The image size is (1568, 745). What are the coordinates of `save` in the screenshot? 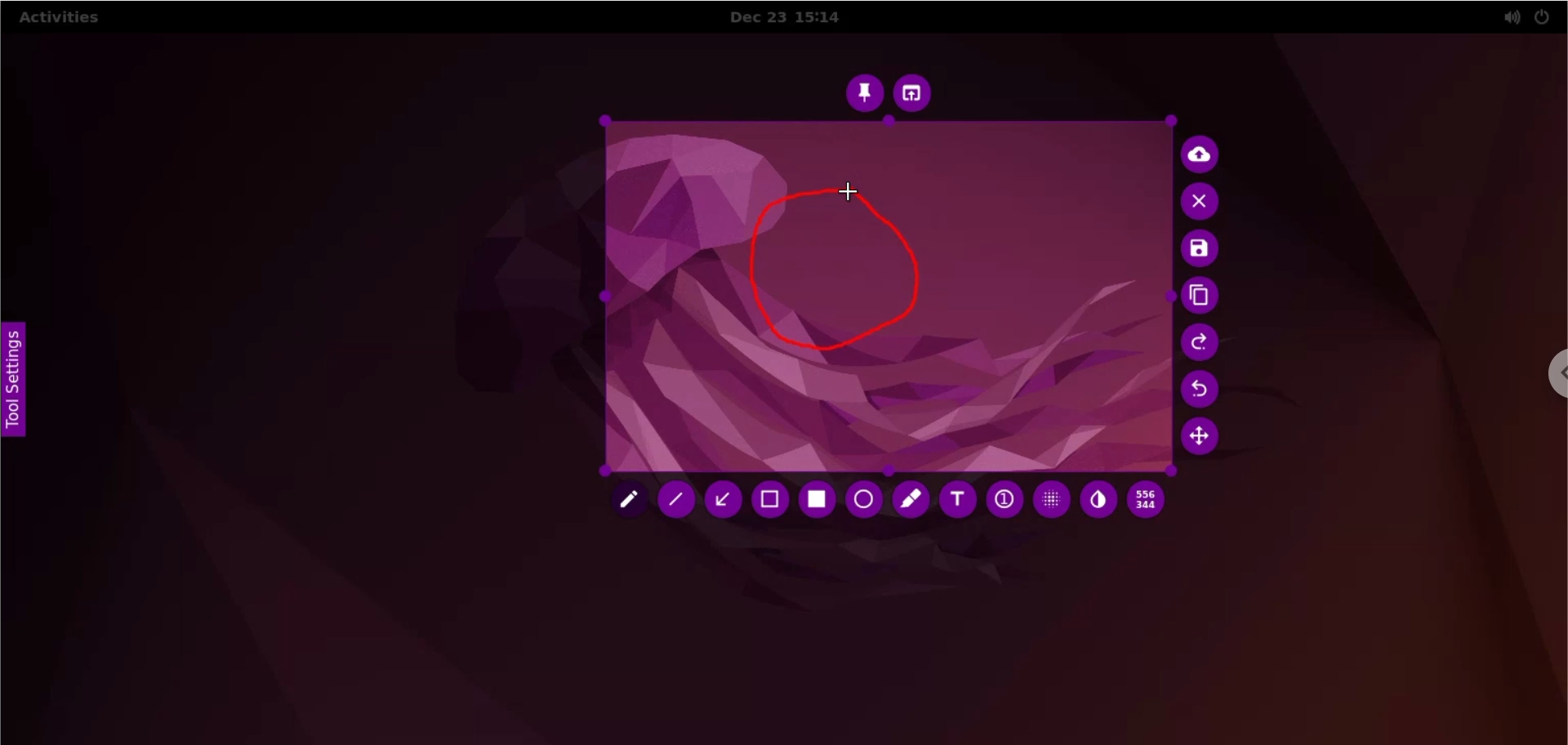 It's located at (1205, 250).